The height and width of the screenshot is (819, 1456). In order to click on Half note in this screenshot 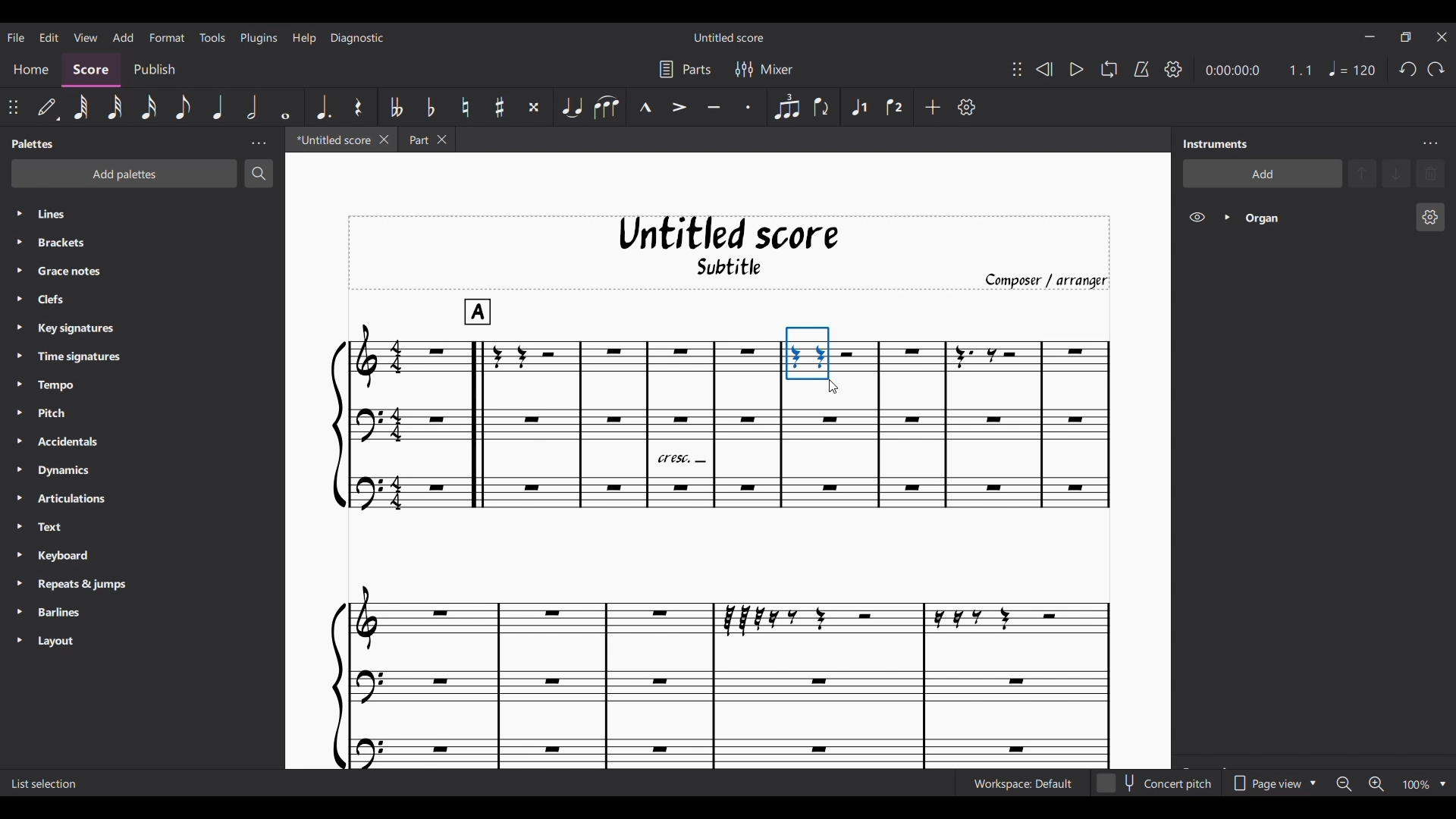, I will do `click(251, 106)`.